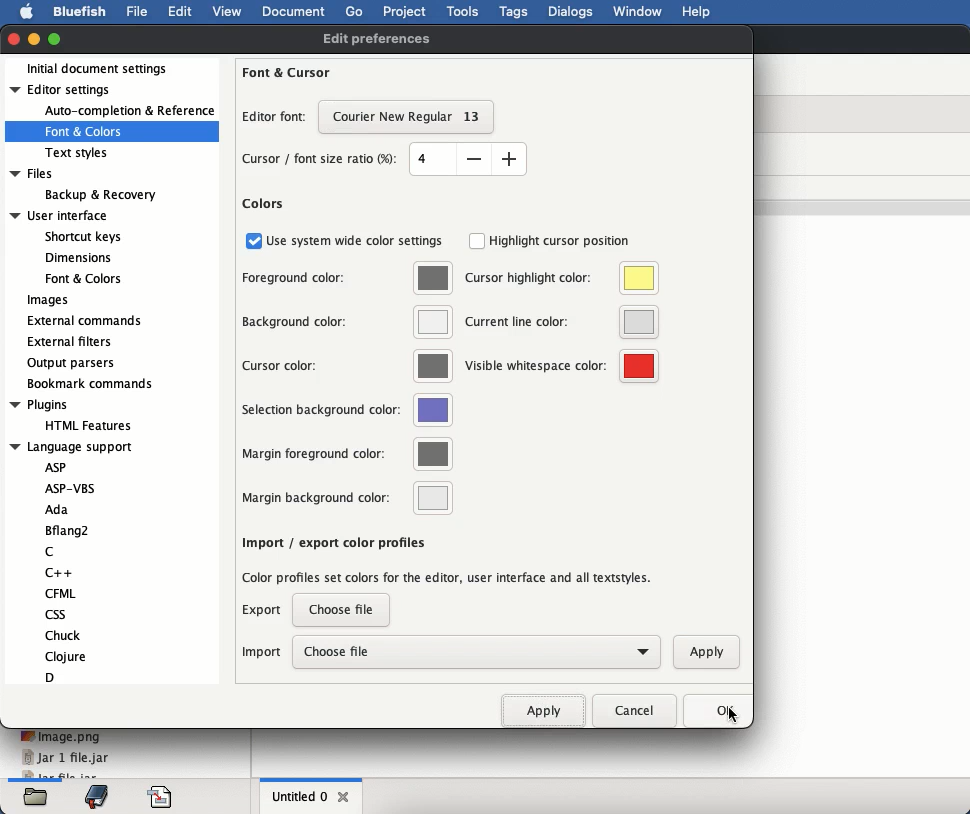  What do you see at coordinates (112, 121) in the screenshot?
I see `editor settings` at bounding box center [112, 121].